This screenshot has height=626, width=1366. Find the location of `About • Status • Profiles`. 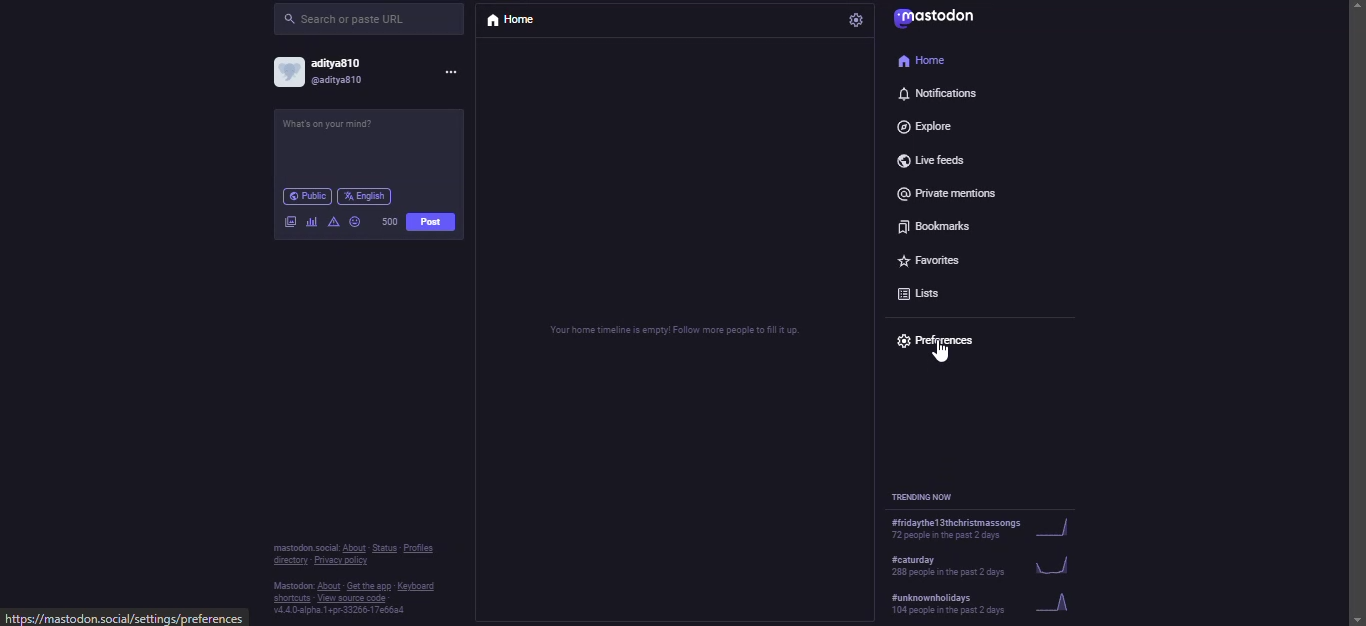

About • Status • Profiles is located at coordinates (392, 548).